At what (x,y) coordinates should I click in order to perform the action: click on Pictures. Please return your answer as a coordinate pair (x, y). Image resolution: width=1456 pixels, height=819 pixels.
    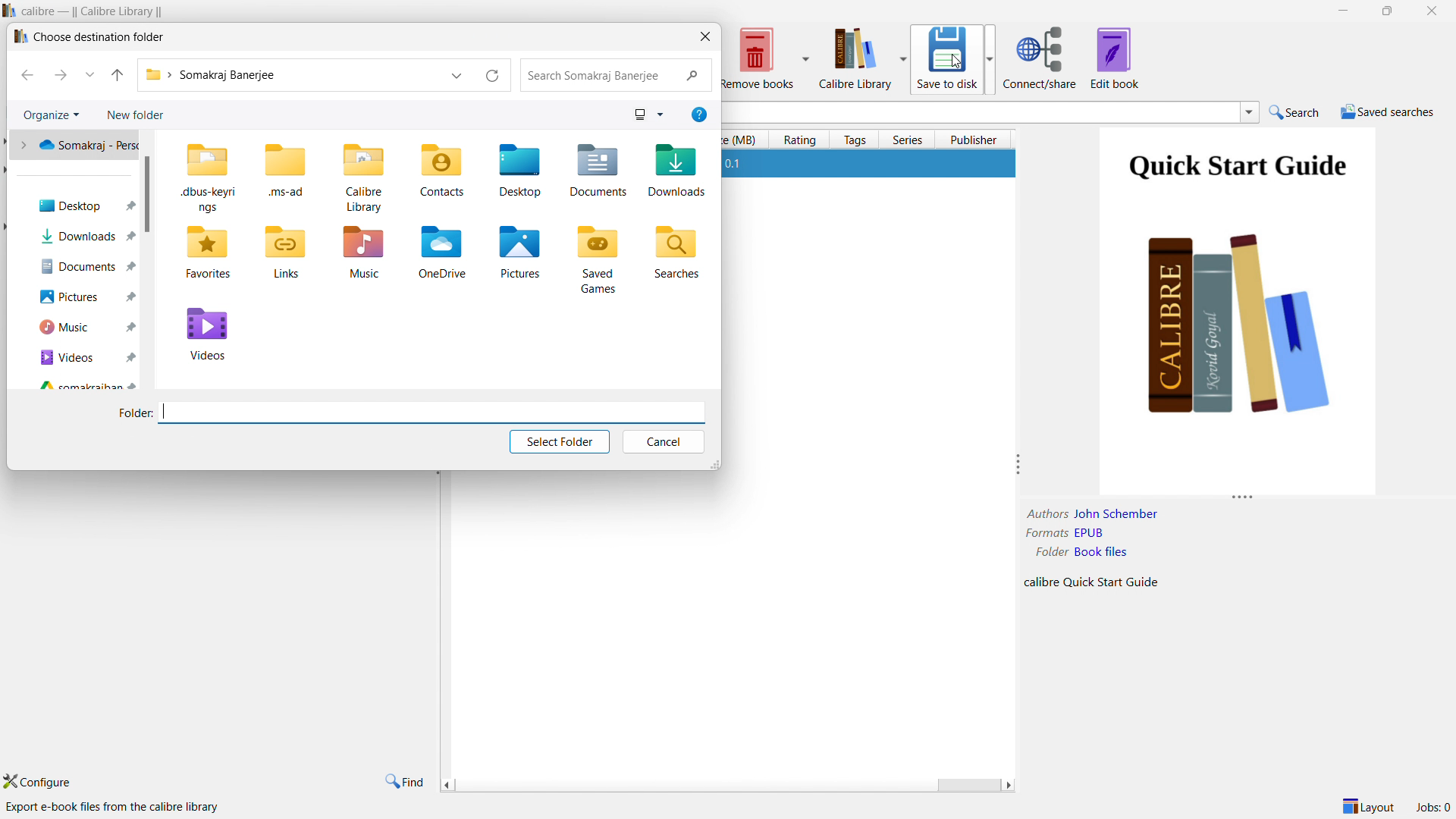
    Looking at the image, I should click on (522, 256).